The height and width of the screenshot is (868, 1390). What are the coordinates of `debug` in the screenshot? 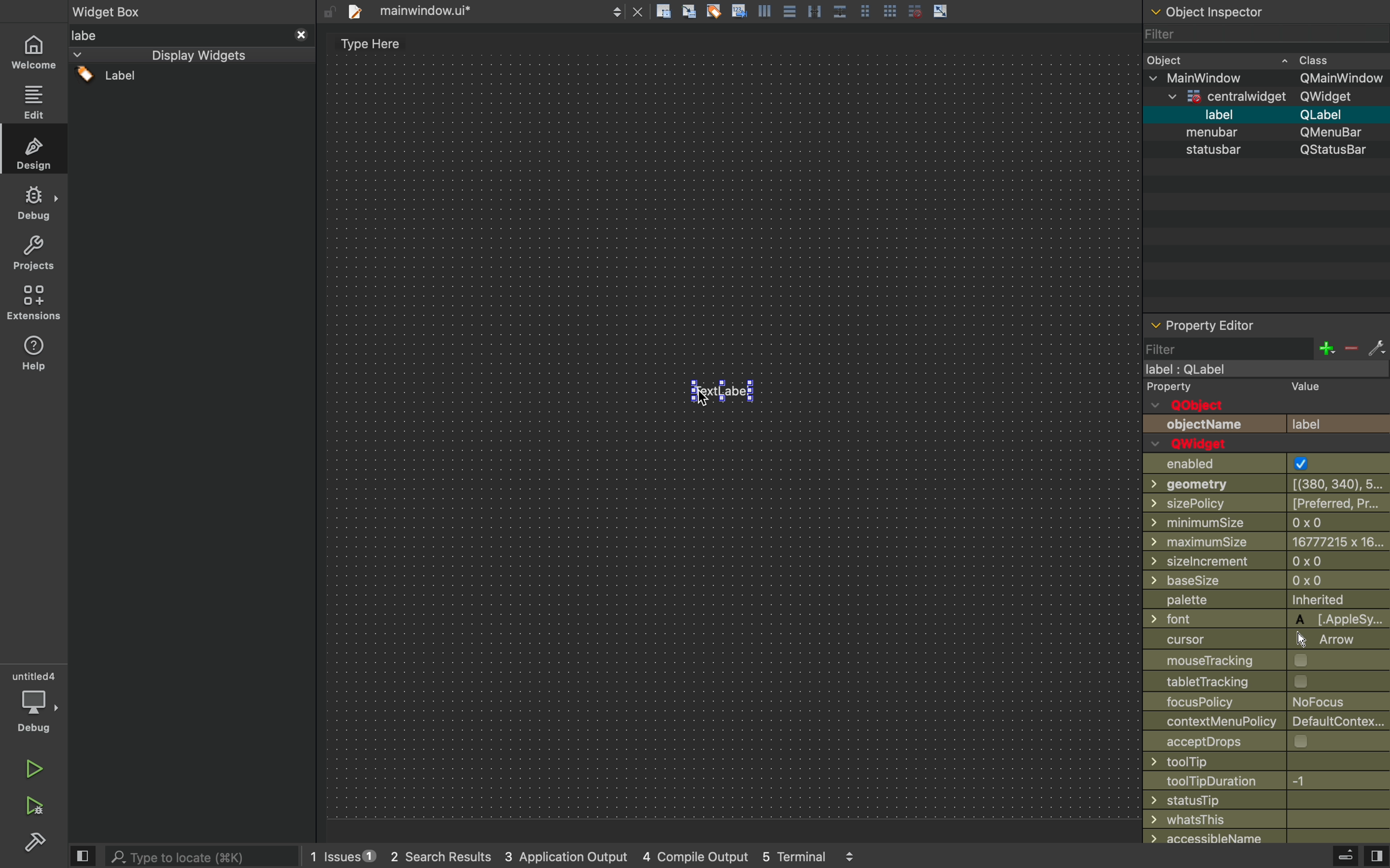 It's located at (34, 702).